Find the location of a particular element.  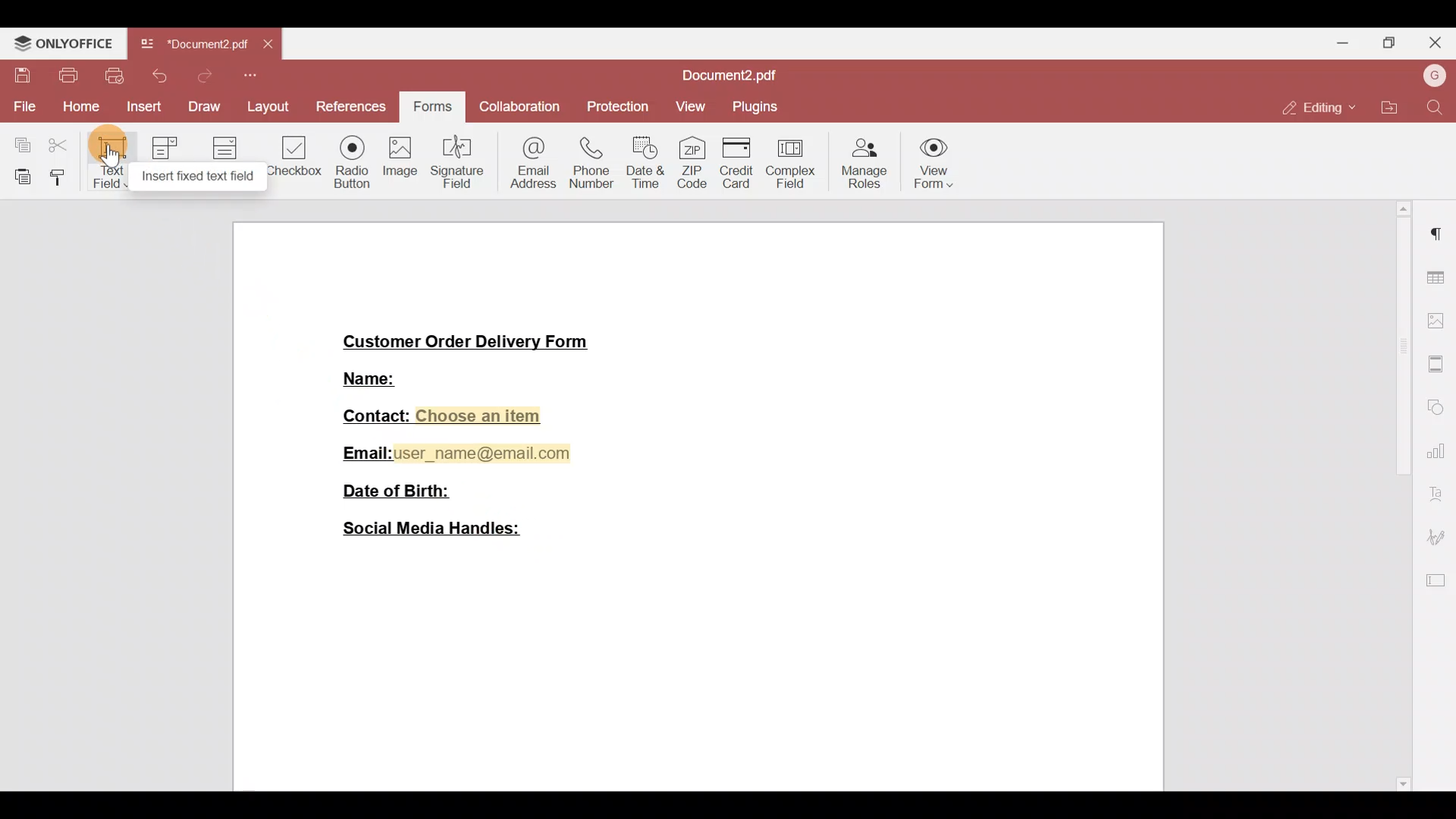

Signature settings is located at coordinates (1441, 536).